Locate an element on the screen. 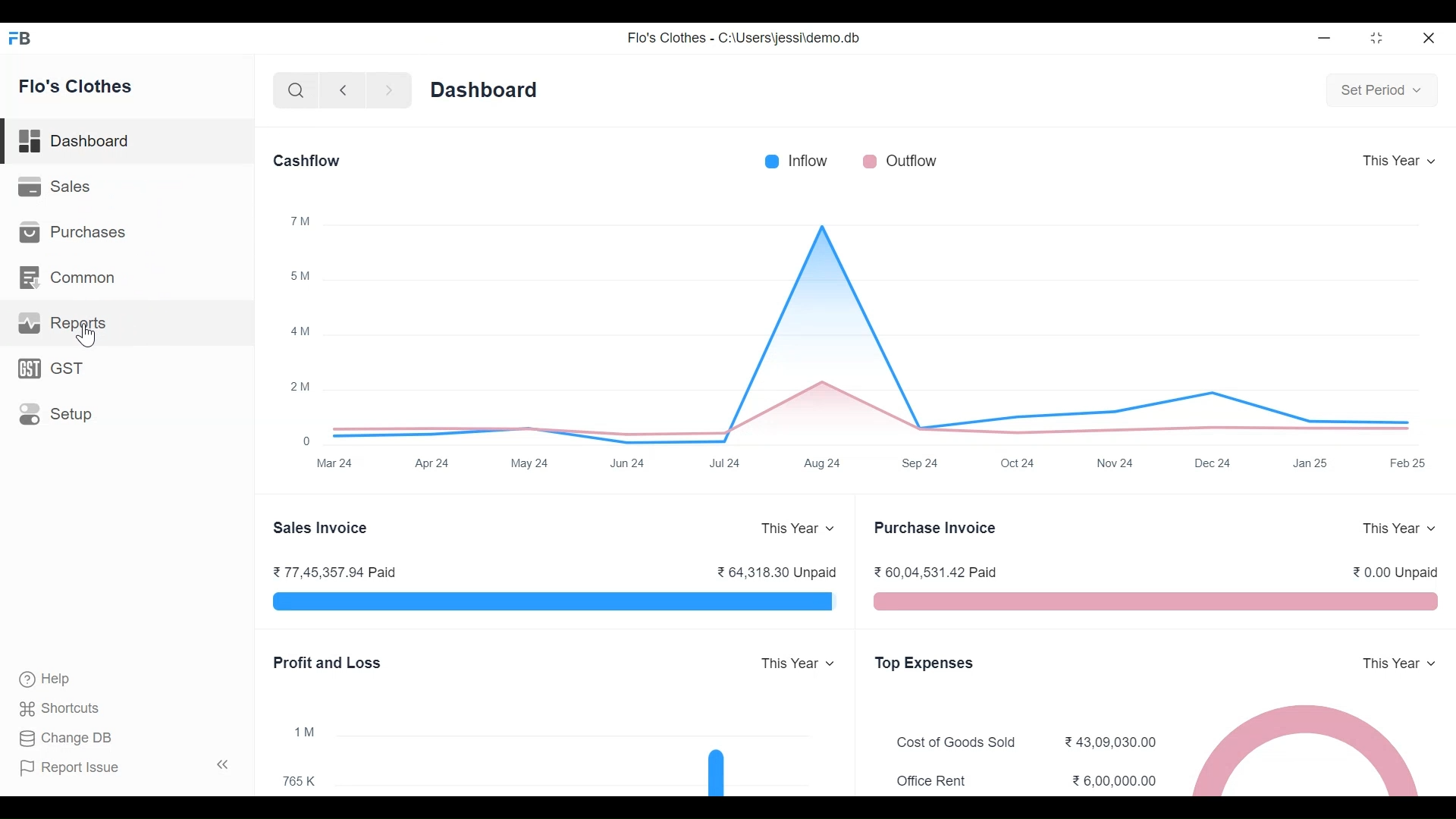 This screenshot has height=819, width=1456. Expand is located at coordinates (1429, 529).